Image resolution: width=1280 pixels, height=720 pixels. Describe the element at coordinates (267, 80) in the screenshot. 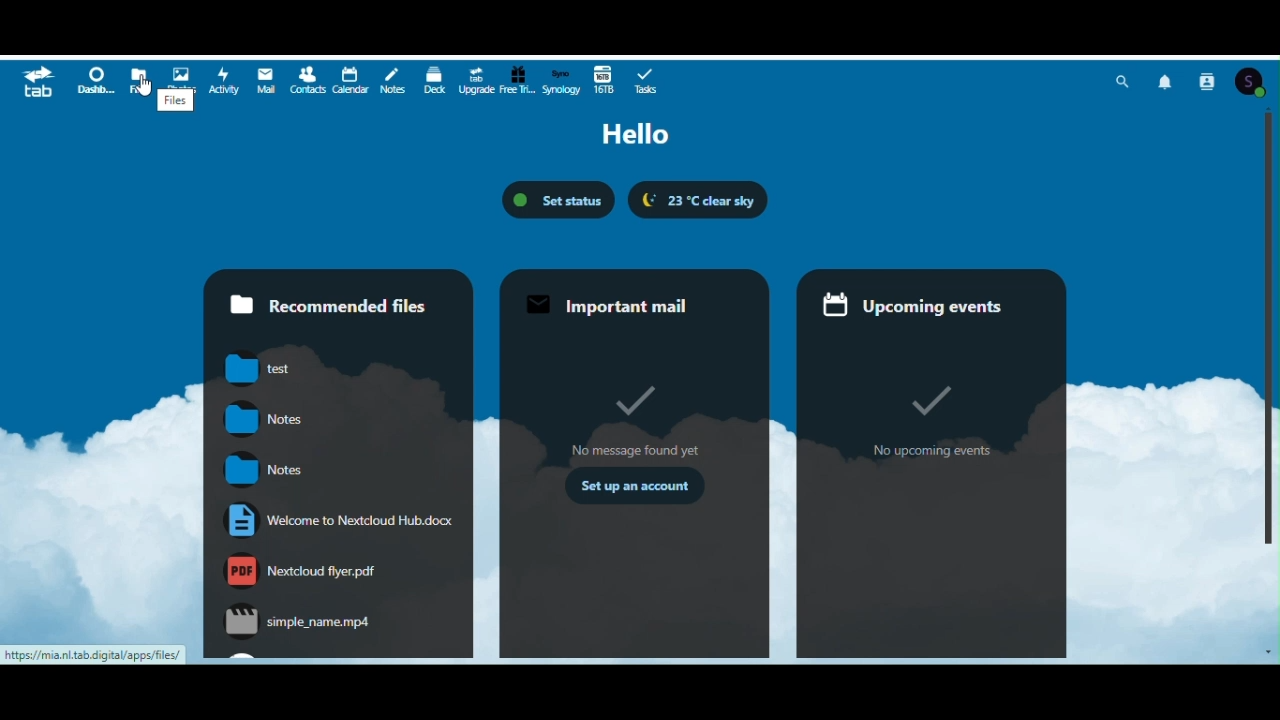

I see `Mail` at that location.